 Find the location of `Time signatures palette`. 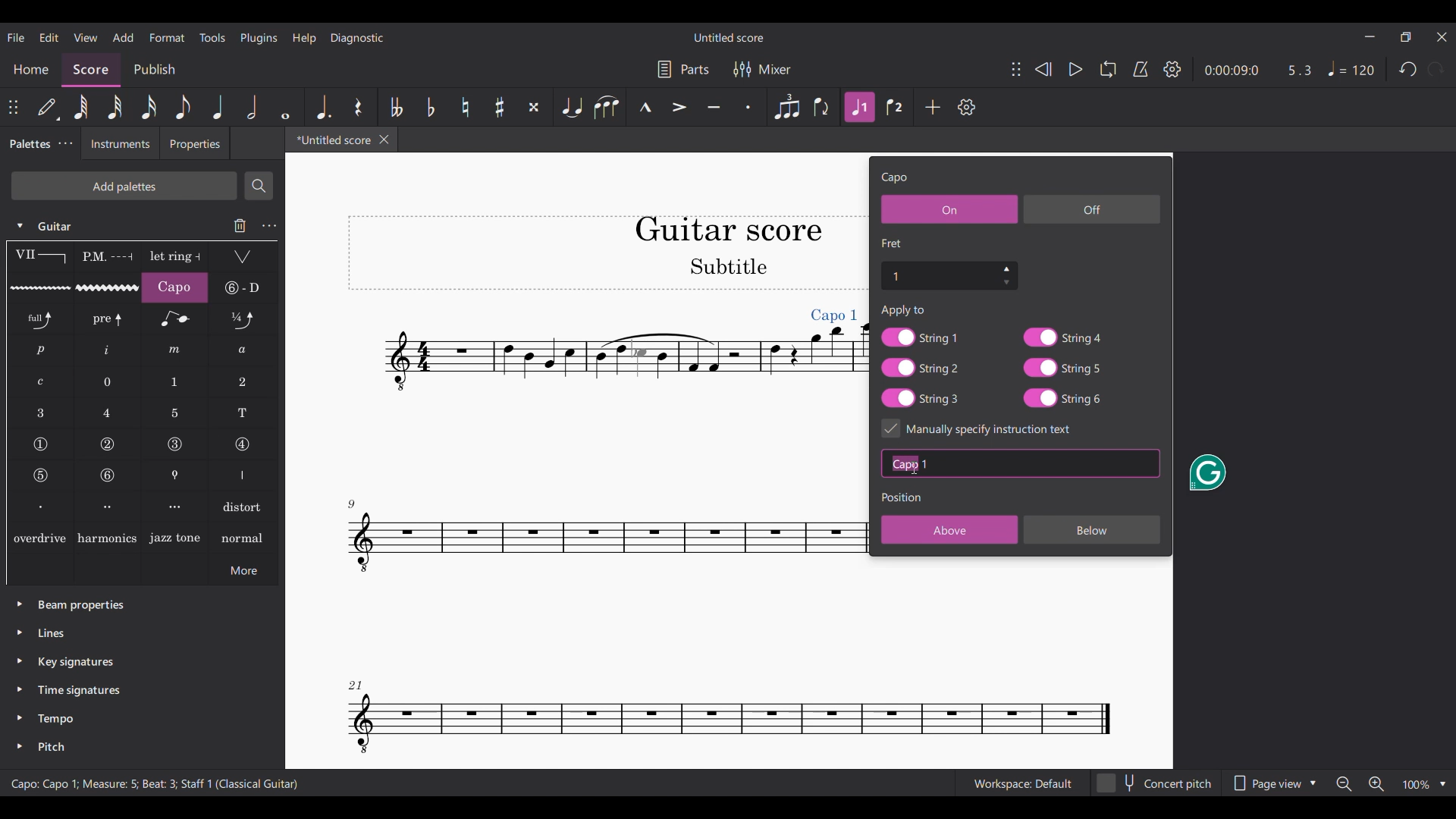

Time signatures palette is located at coordinates (79, 690).